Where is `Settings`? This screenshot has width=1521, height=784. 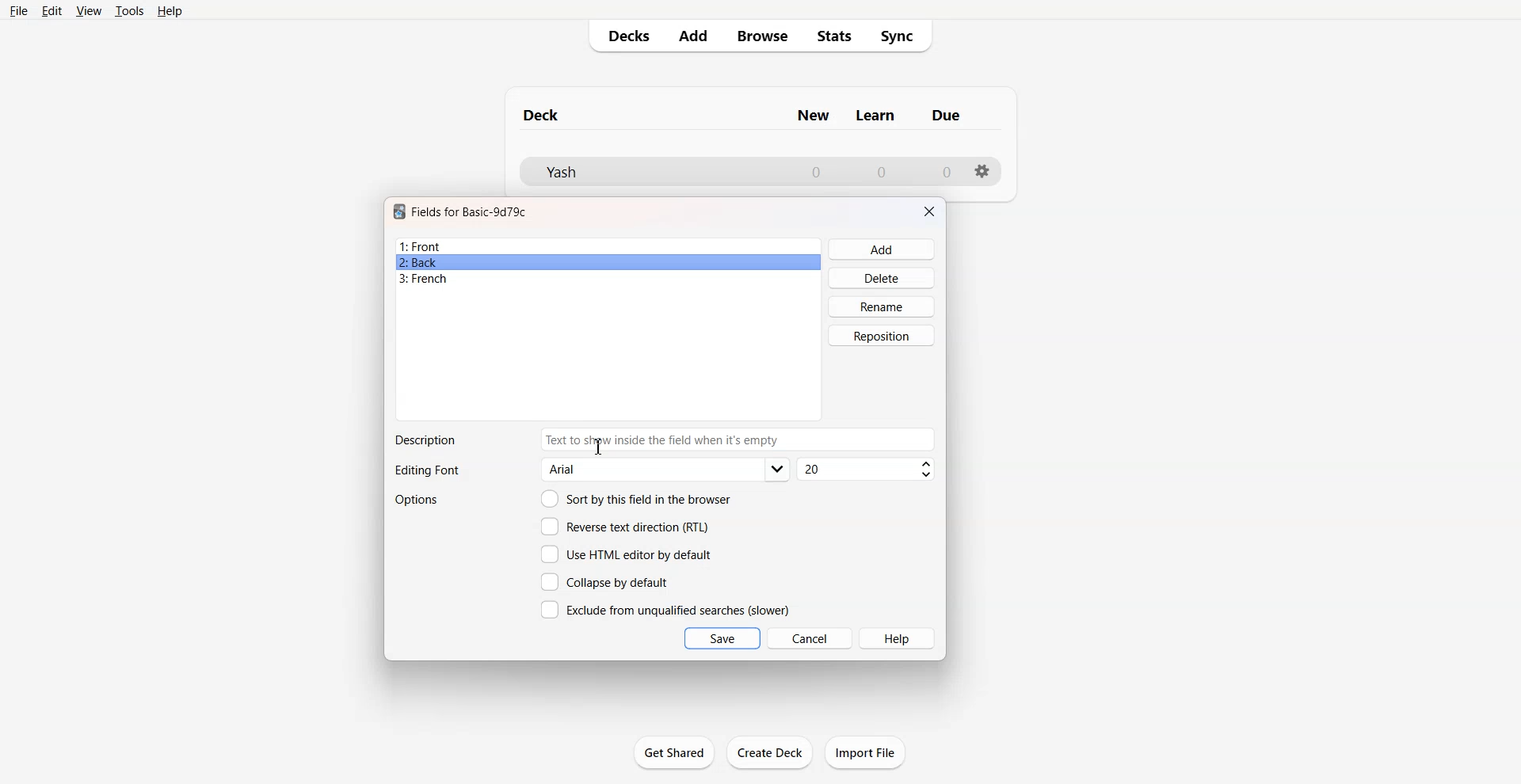 Settings is located at coordinates (983, 171).